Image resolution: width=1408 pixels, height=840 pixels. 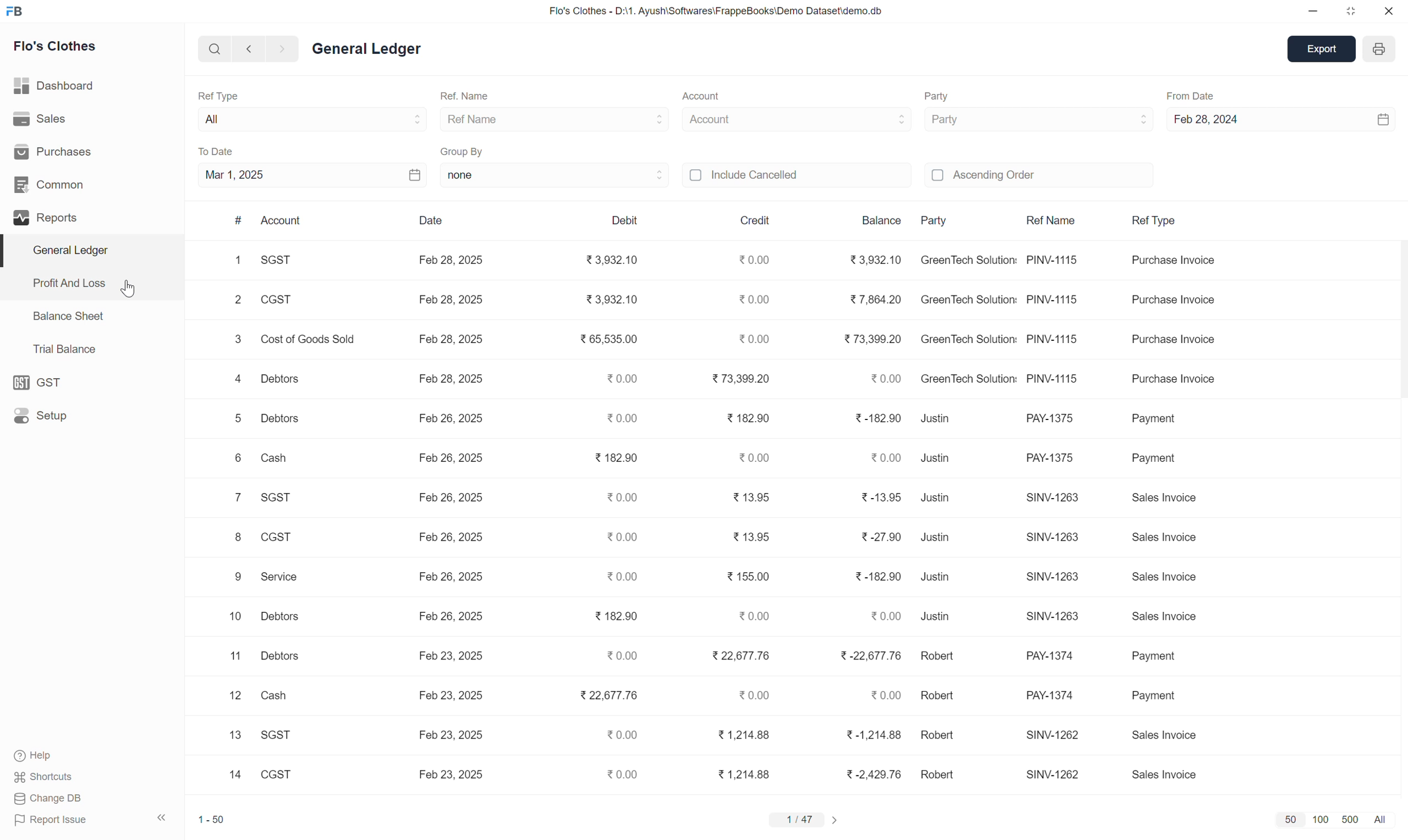 I want to click on Ref name dropdown, so click(x=632, y=118).